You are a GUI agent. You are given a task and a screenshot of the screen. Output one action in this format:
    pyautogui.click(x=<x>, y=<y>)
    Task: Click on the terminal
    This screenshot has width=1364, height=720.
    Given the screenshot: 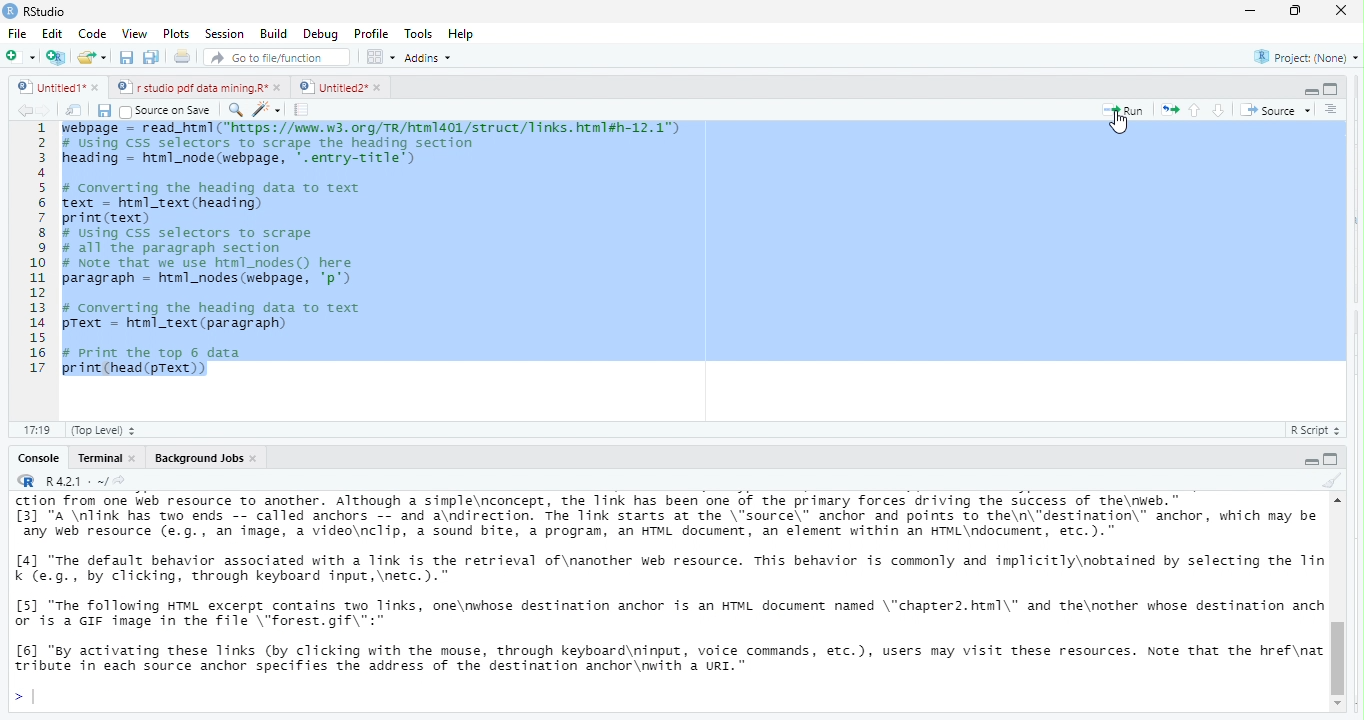 What is the action you would take?
    pyautogui.click(x=102, y=458)
    